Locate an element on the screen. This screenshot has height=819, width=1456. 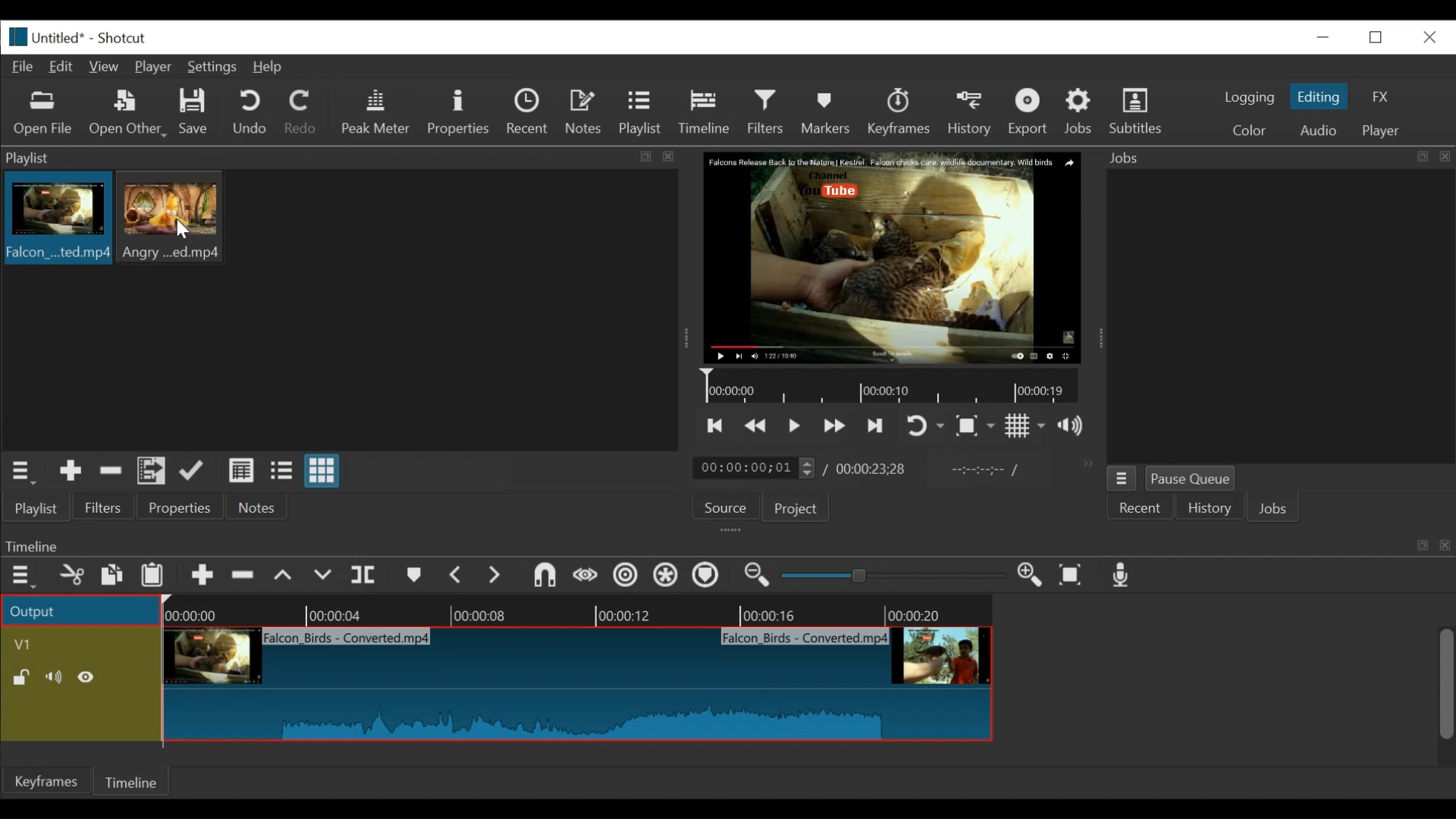
Zoom timeline to fit is located at coordinates (1075, 576).